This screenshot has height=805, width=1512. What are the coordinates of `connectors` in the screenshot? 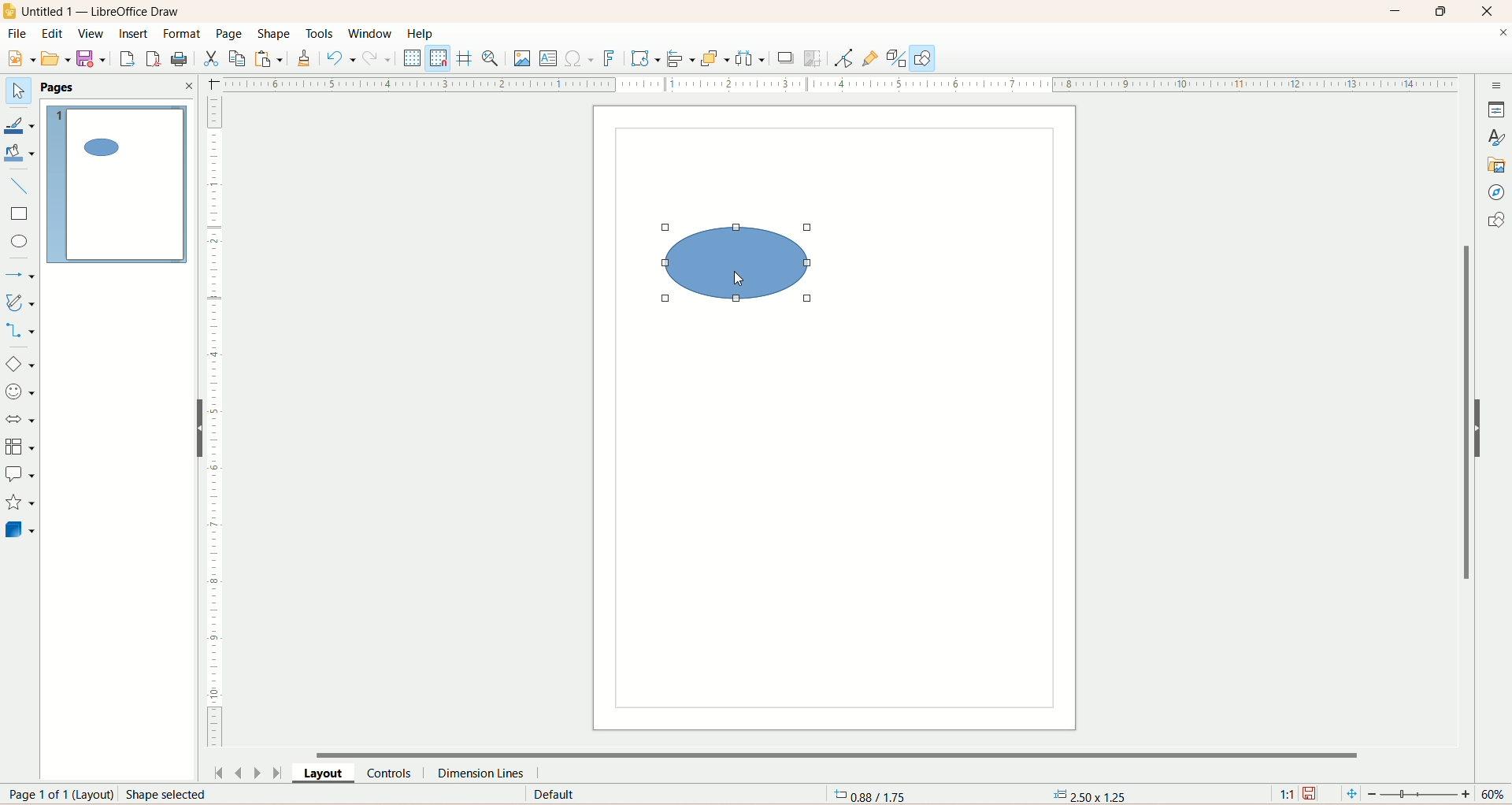 It's located at (21, 331).